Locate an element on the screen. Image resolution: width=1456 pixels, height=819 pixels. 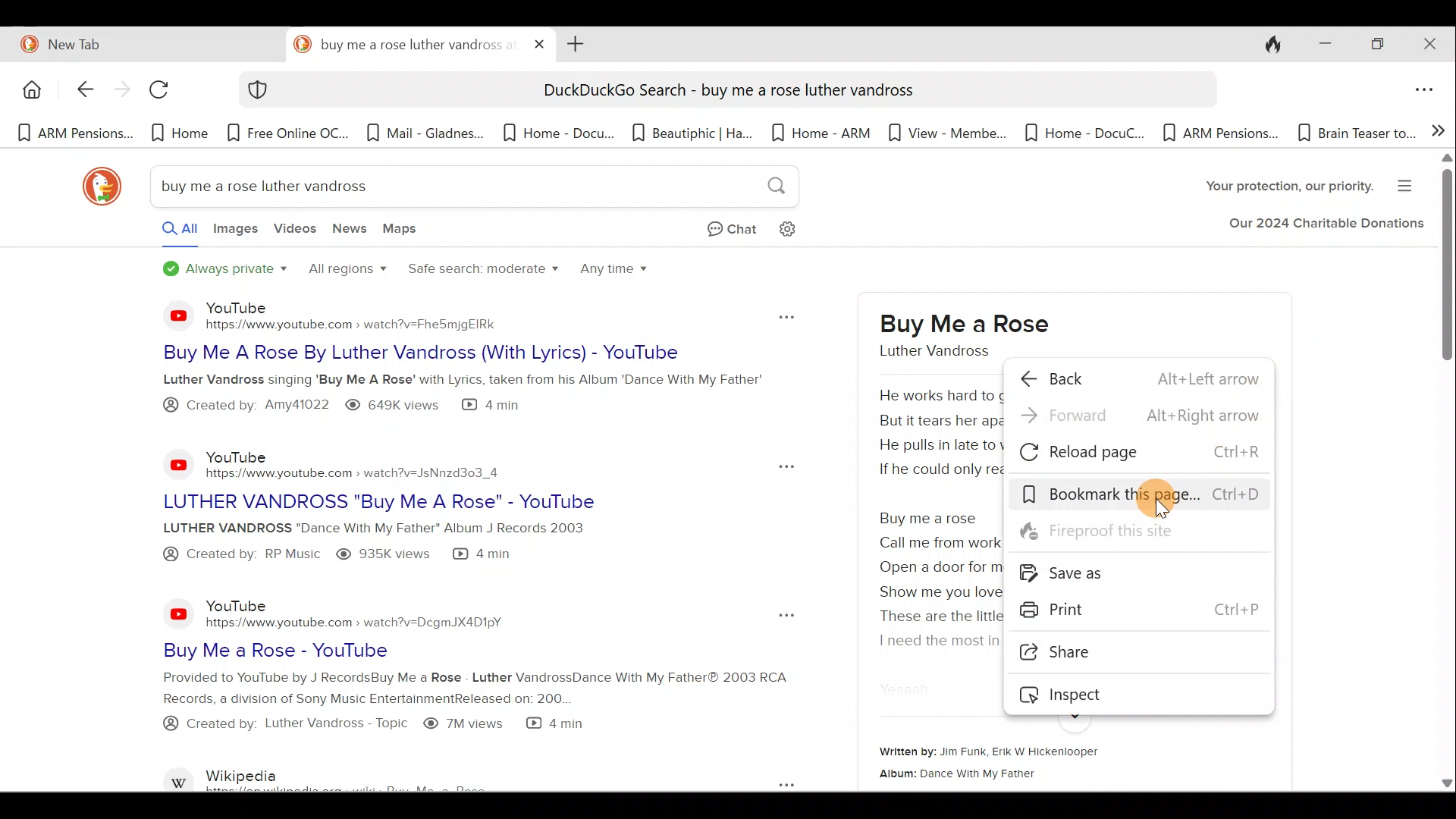
Share is located at coordinates (1126, 654).